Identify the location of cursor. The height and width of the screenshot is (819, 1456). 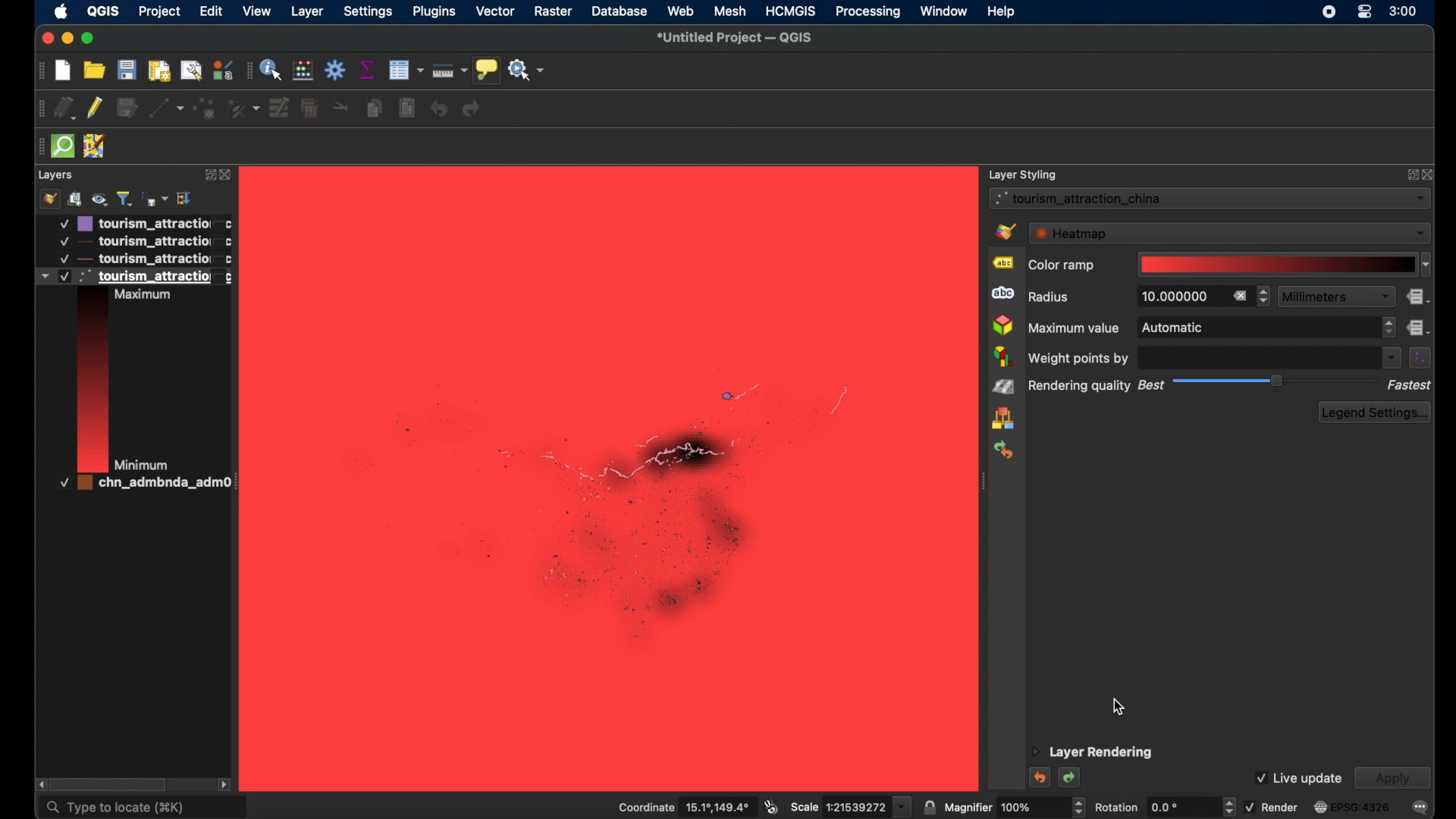
(1119, 708).